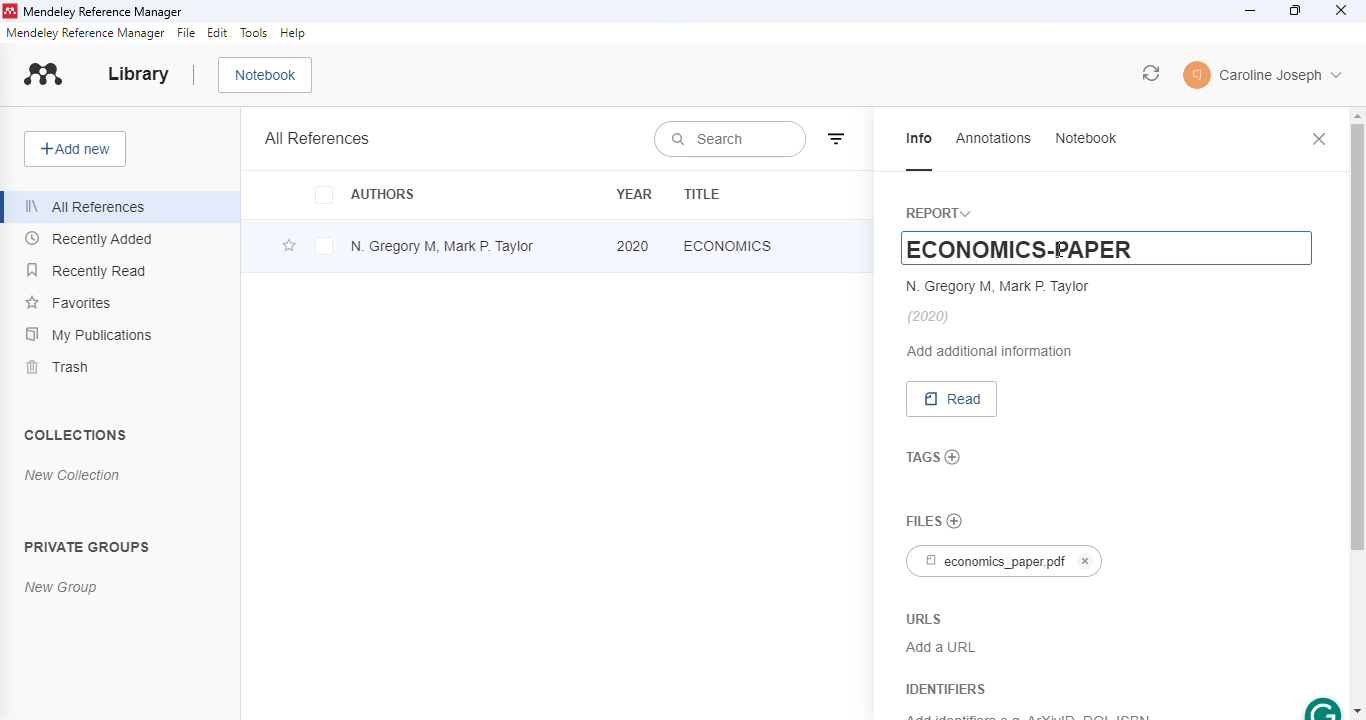 The height and width of the screenshot is (720, 1366). What do you see at coordinates (955, 521) in the screenshot?
I see `no files chosen` at bounding box center [955, 521].